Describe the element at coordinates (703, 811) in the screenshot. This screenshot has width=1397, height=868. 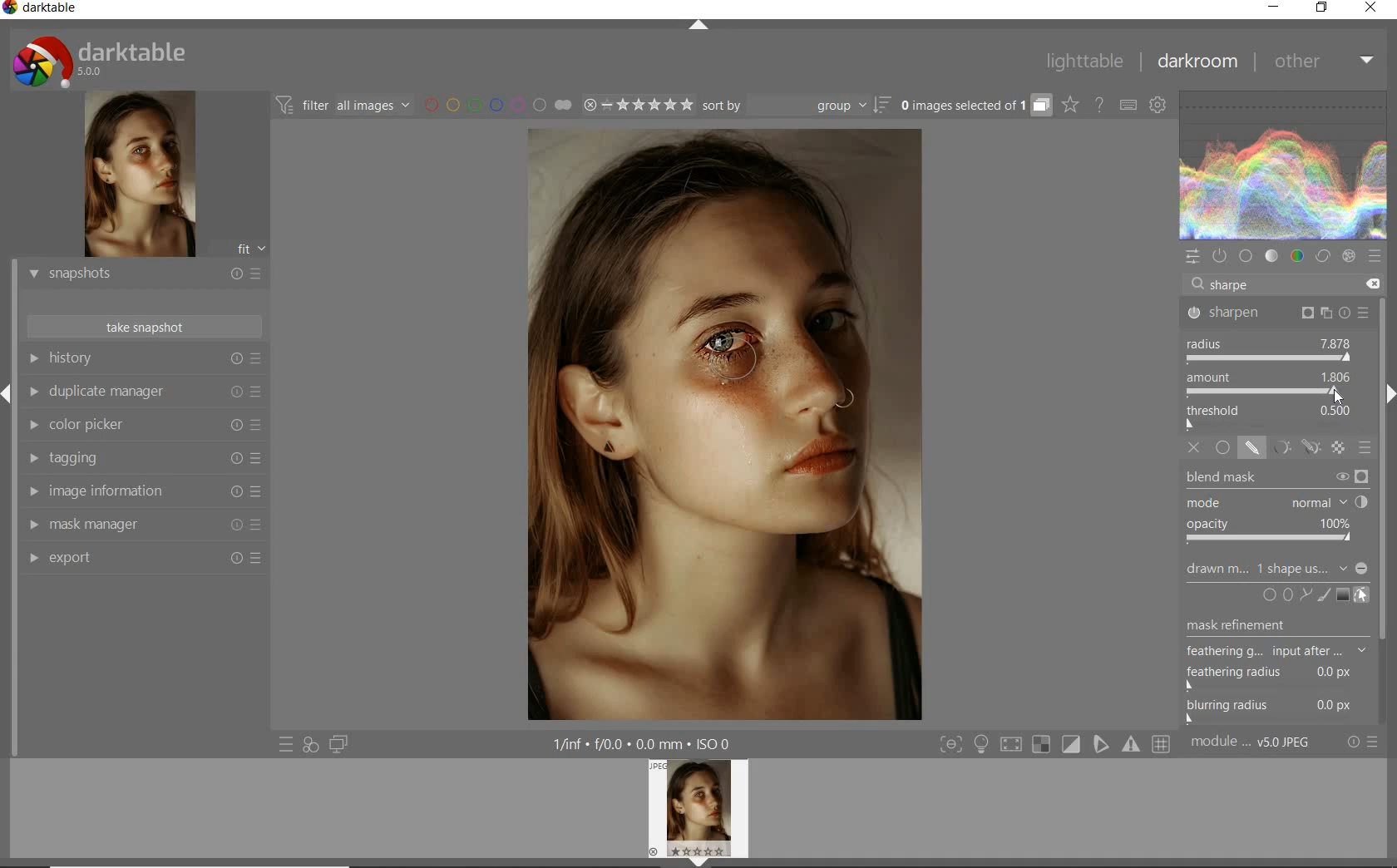
I see `IMAGE` at that location.